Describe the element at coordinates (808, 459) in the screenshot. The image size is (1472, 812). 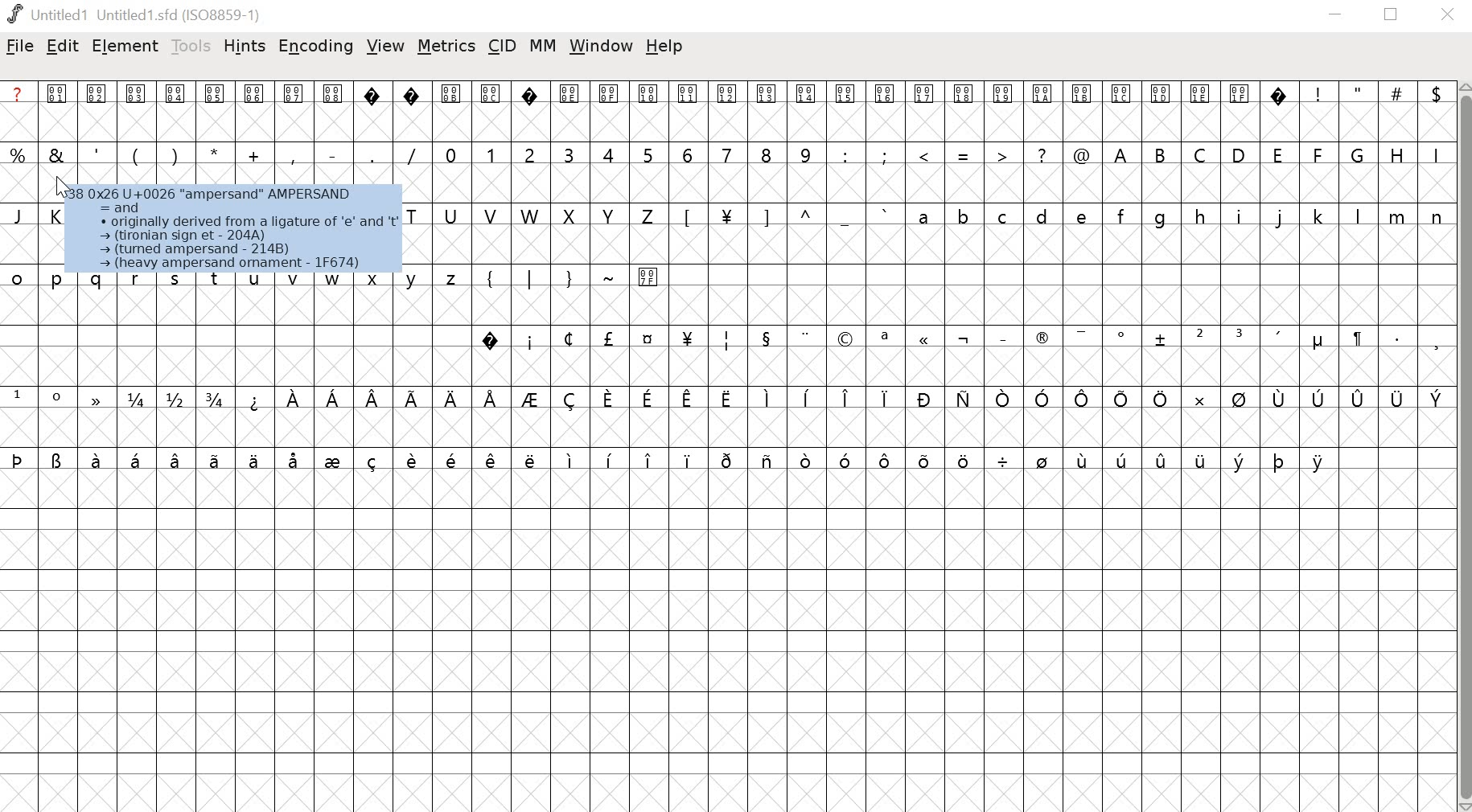
I see `symbol` at that location.